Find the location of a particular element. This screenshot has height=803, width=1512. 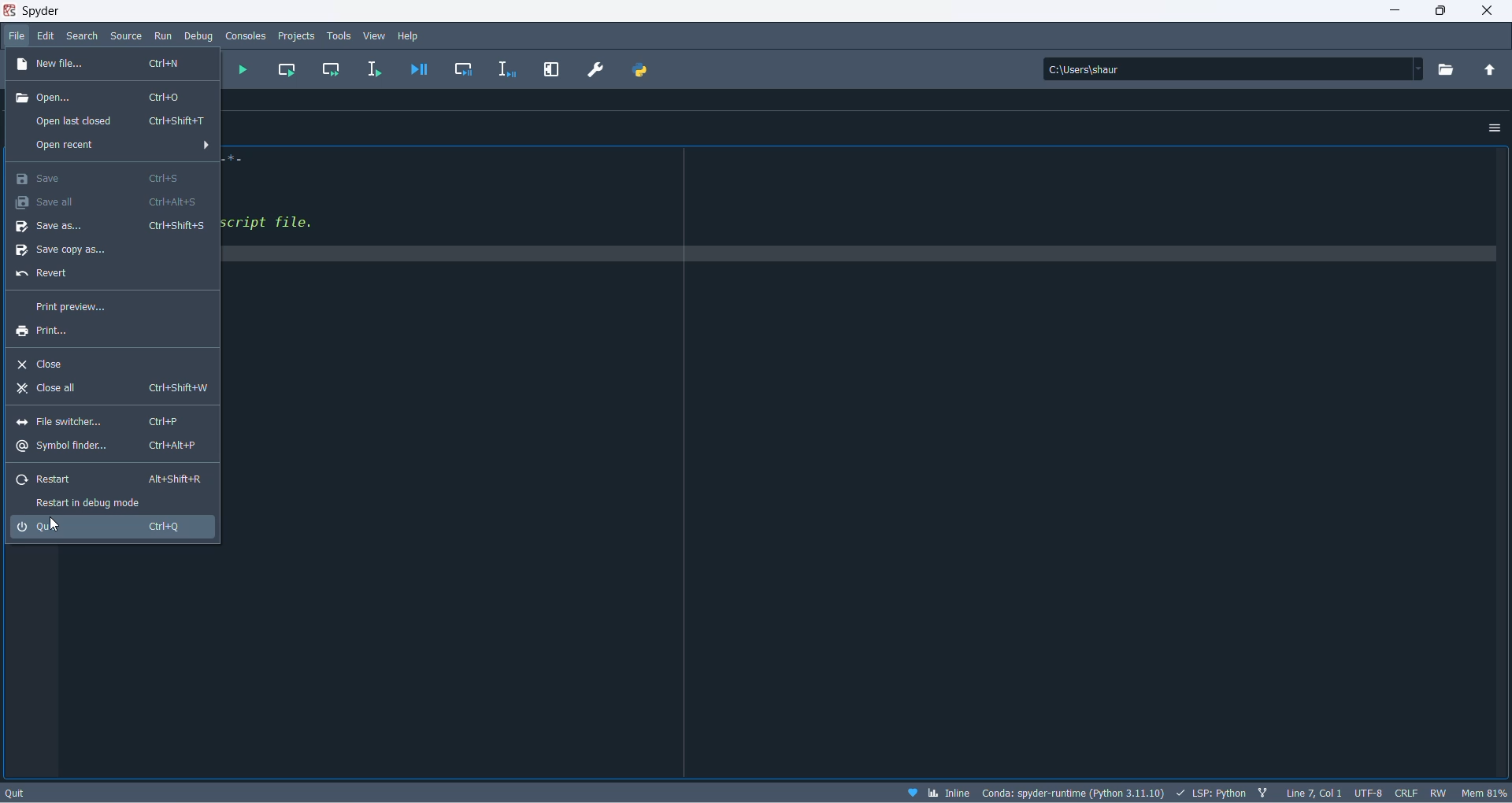

debug selection or current line is located at coordinates (508, 72).